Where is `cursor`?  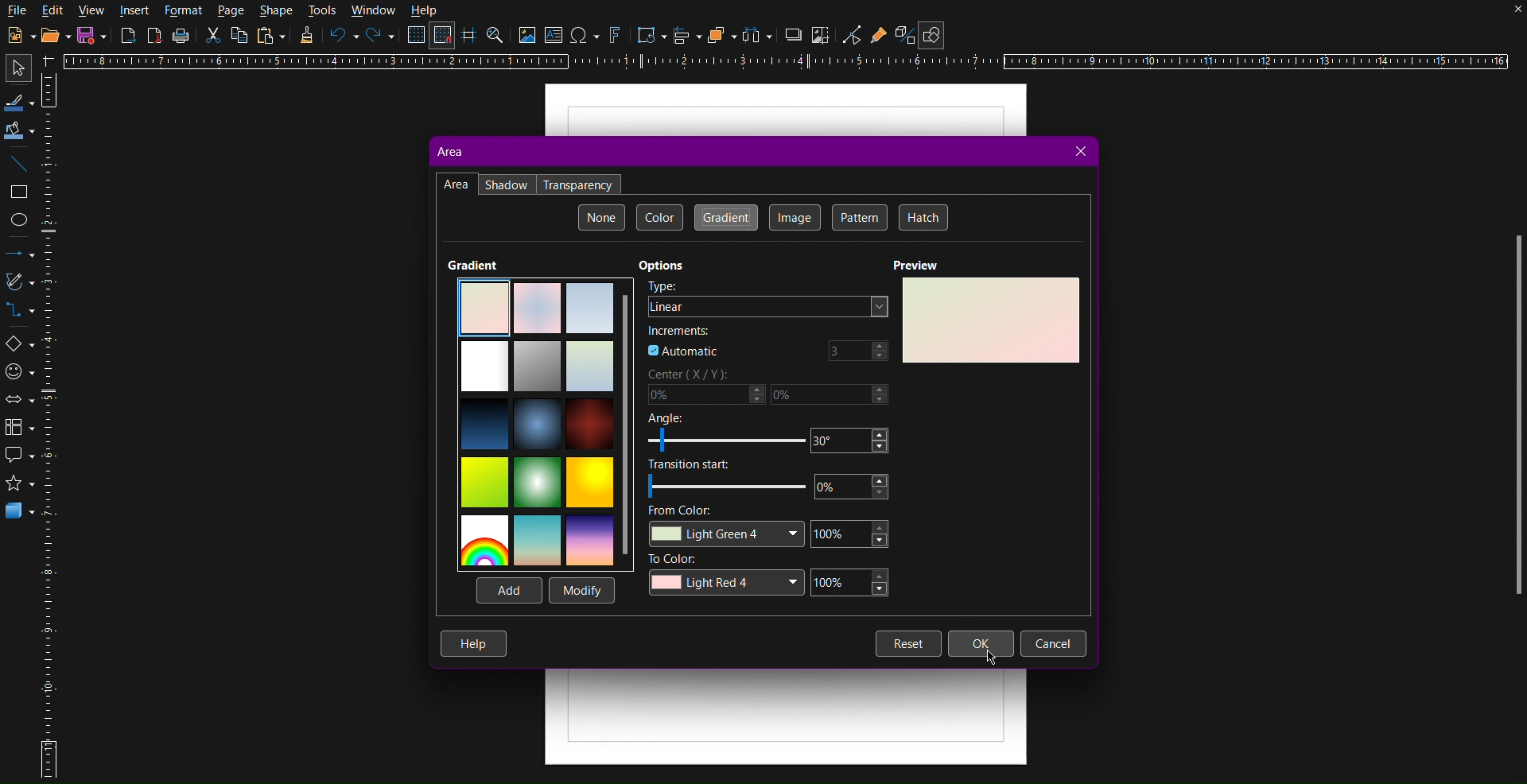
cursor is located at coordinates (984, 649).